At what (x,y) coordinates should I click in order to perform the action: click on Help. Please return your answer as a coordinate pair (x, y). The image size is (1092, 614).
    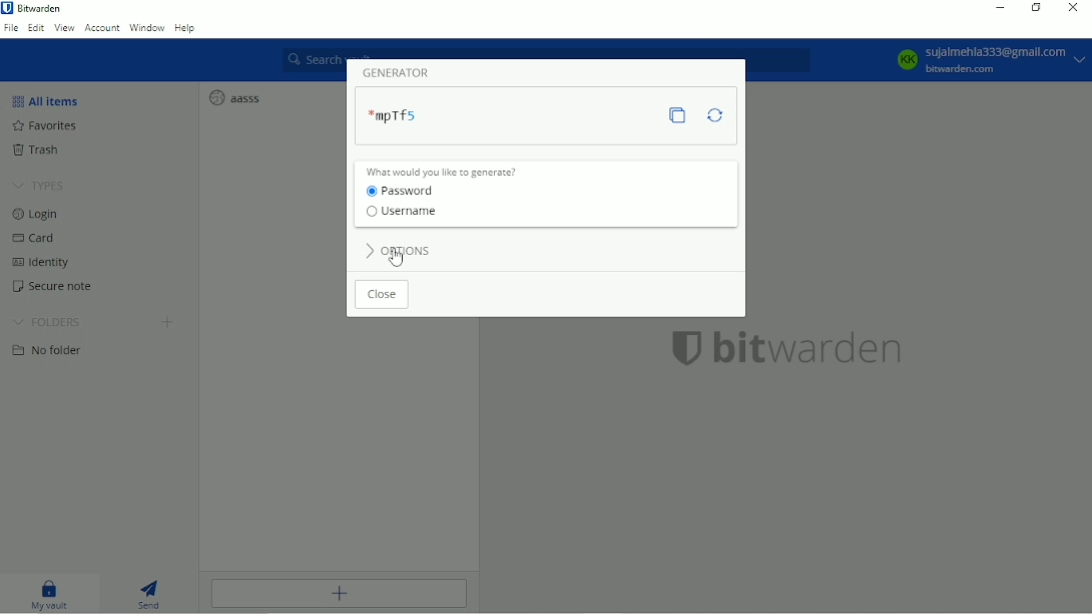
    Looking at the image, I should click on (187, 29).